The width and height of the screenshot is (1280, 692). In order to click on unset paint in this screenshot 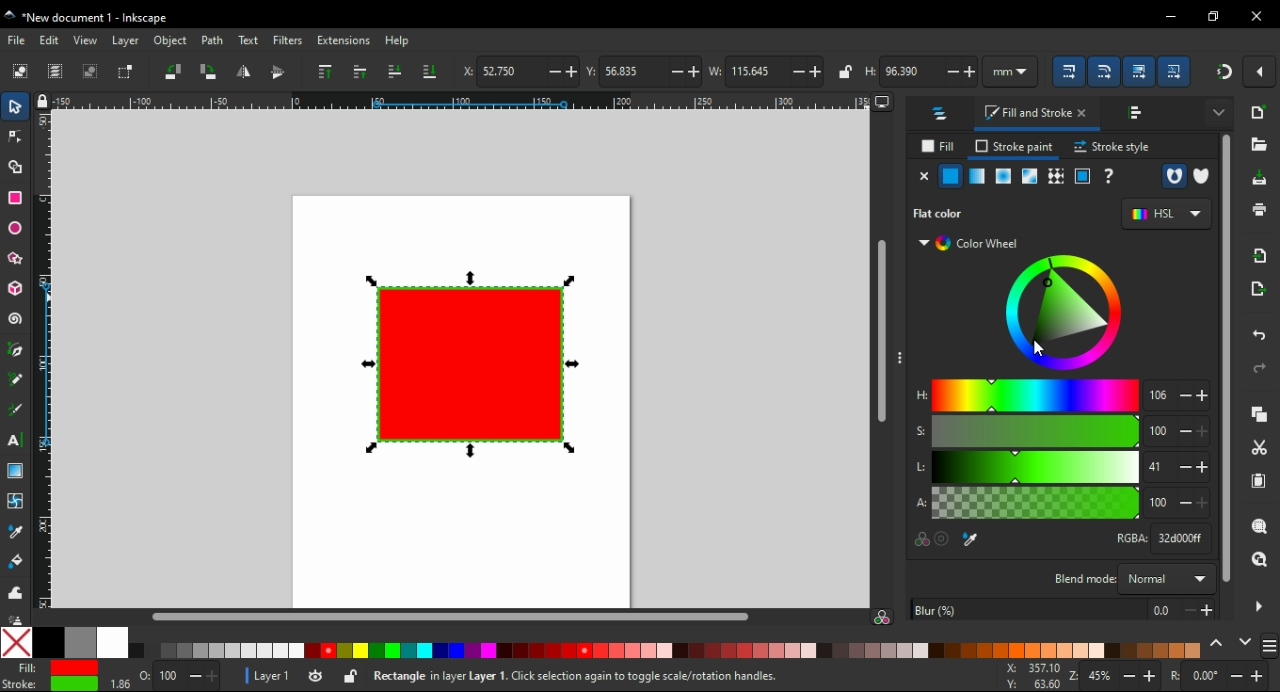, I will do `click(1109, 176)`.